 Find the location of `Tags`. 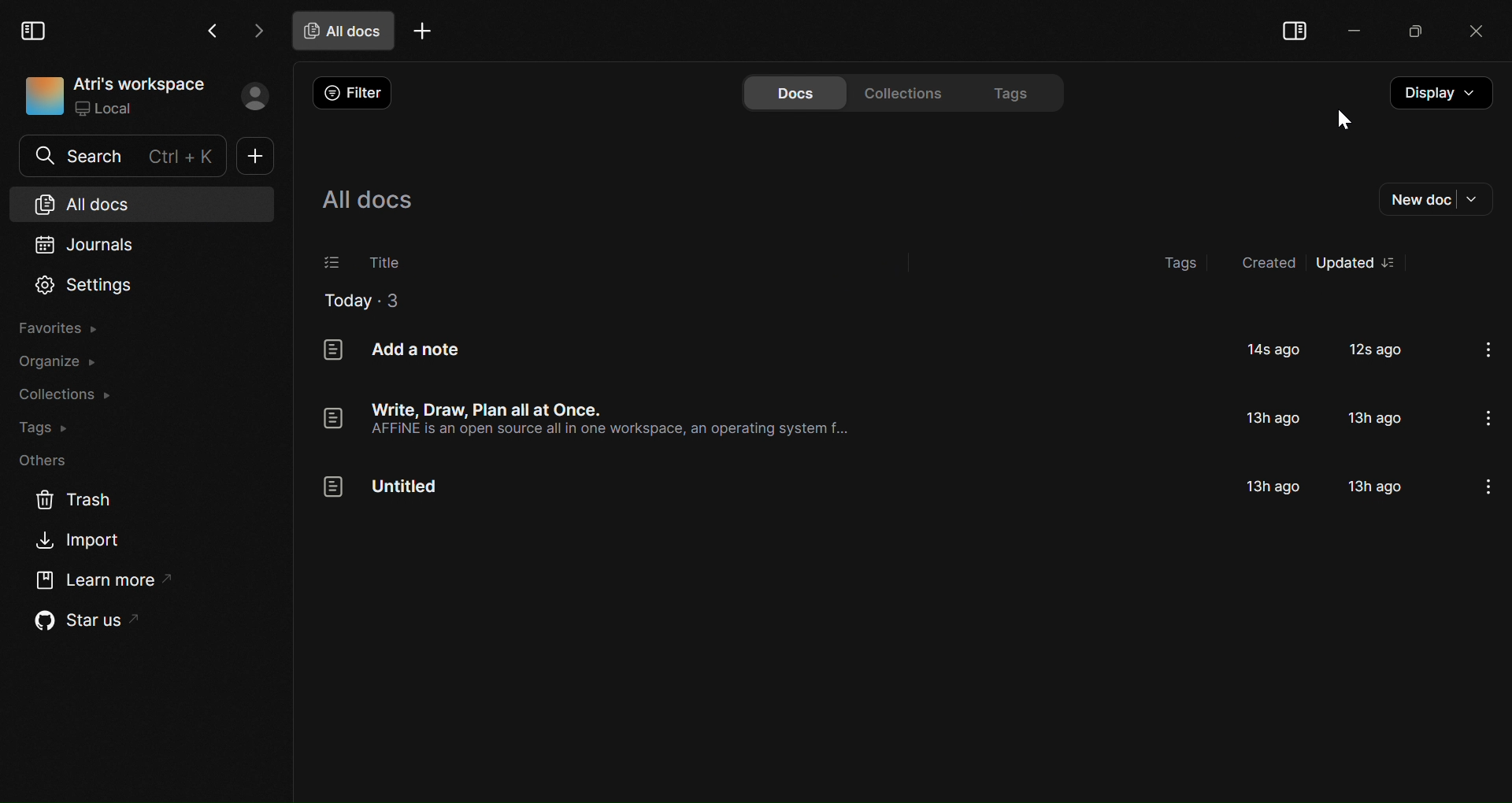

Tags is located at coordinates (1182, 263).